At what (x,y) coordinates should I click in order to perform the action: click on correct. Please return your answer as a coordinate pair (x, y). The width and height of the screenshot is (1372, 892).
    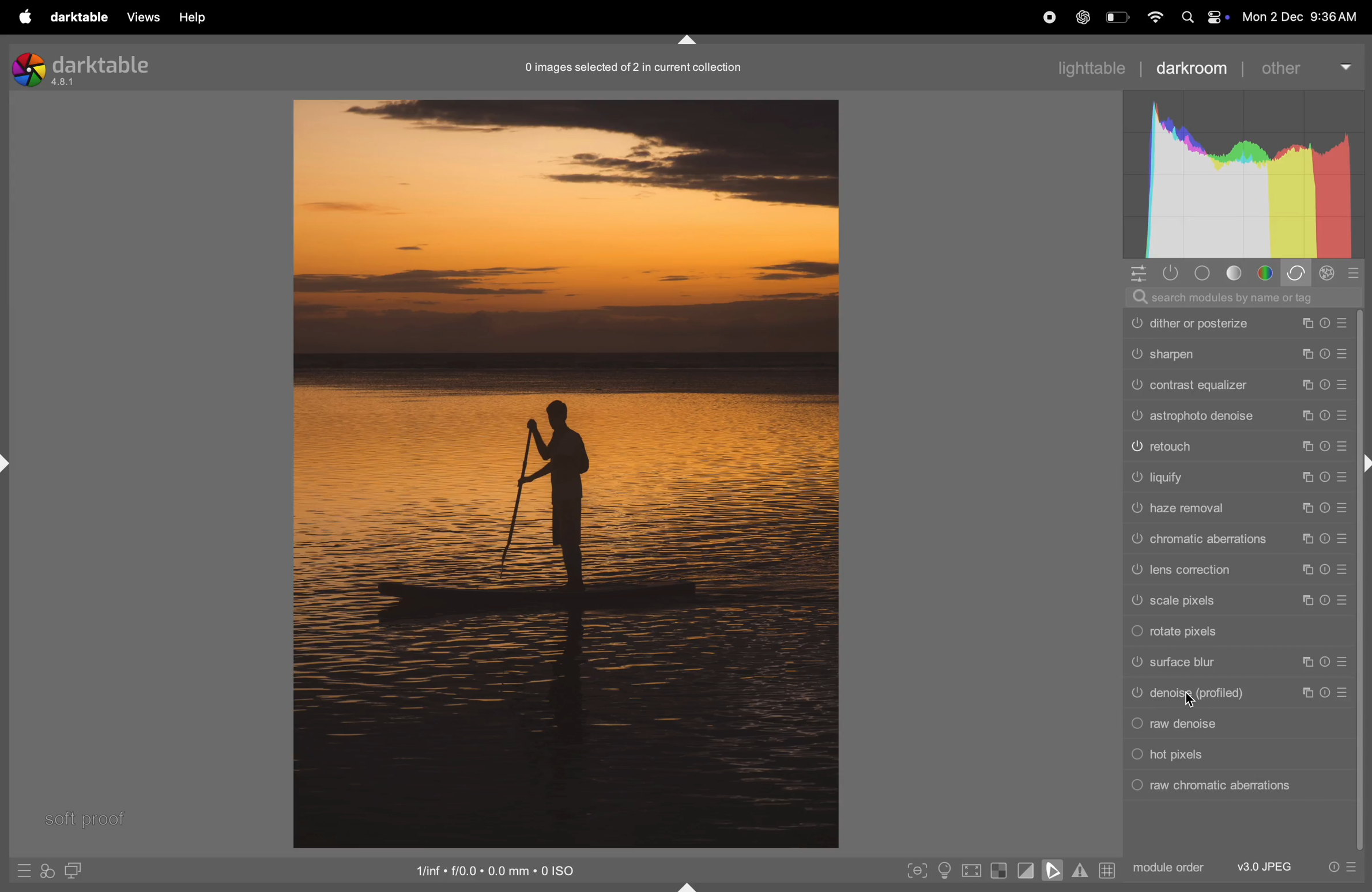
    Looking at the image, I should click on (1299, 274).